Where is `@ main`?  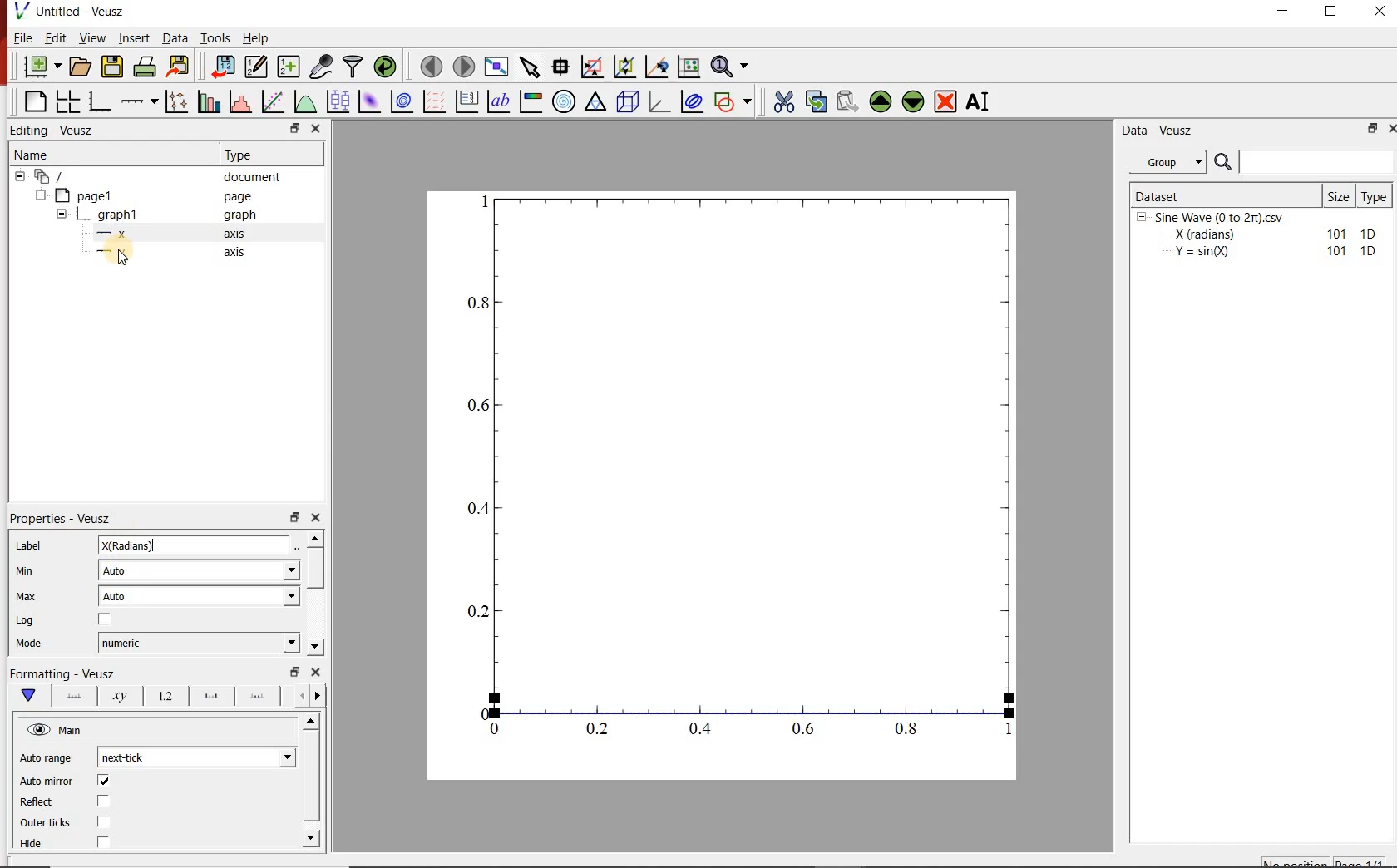 @ main is located at coordinates (54, 731).